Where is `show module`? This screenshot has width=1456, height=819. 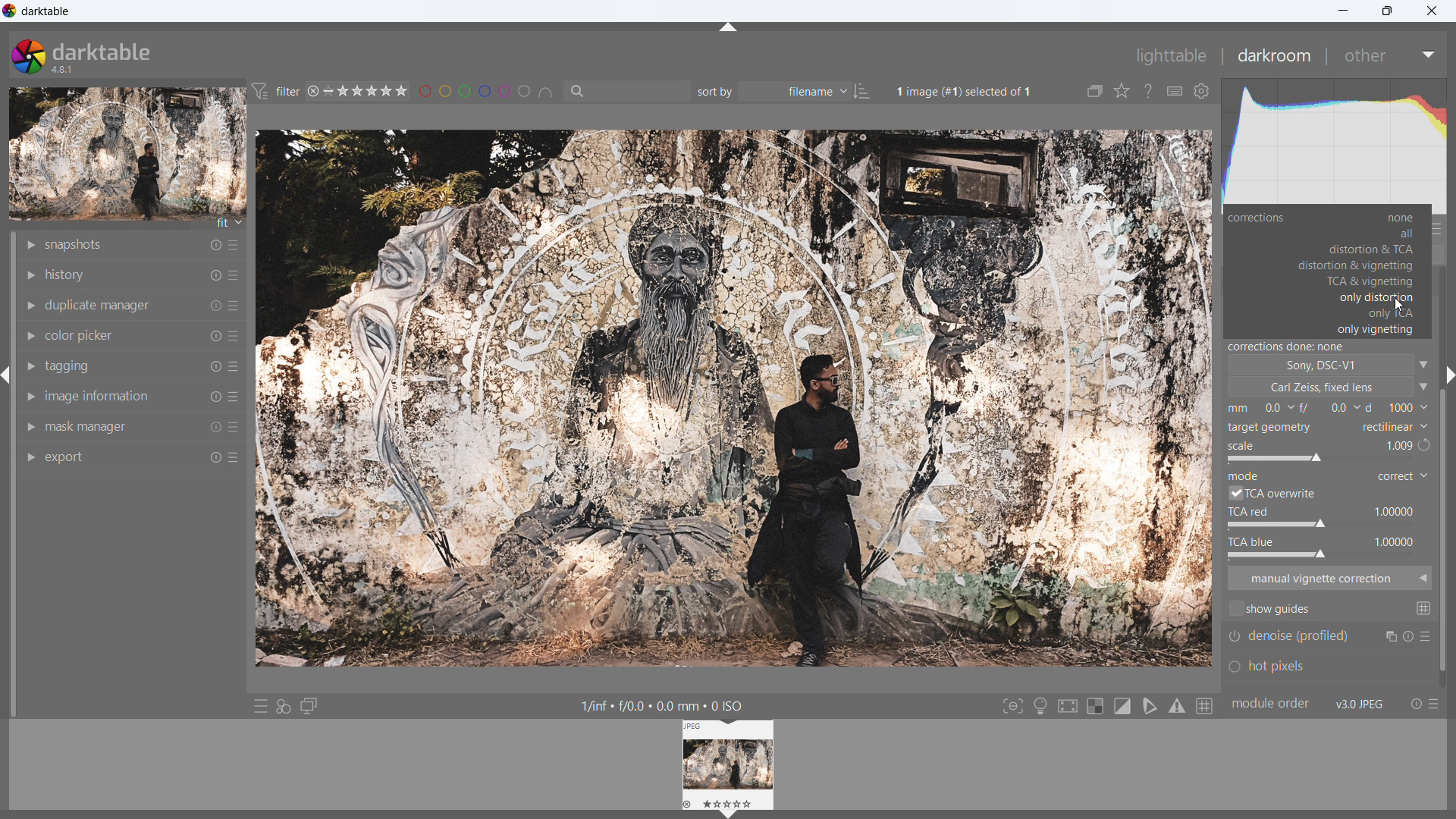
show module is located at coordinates (33, 306).